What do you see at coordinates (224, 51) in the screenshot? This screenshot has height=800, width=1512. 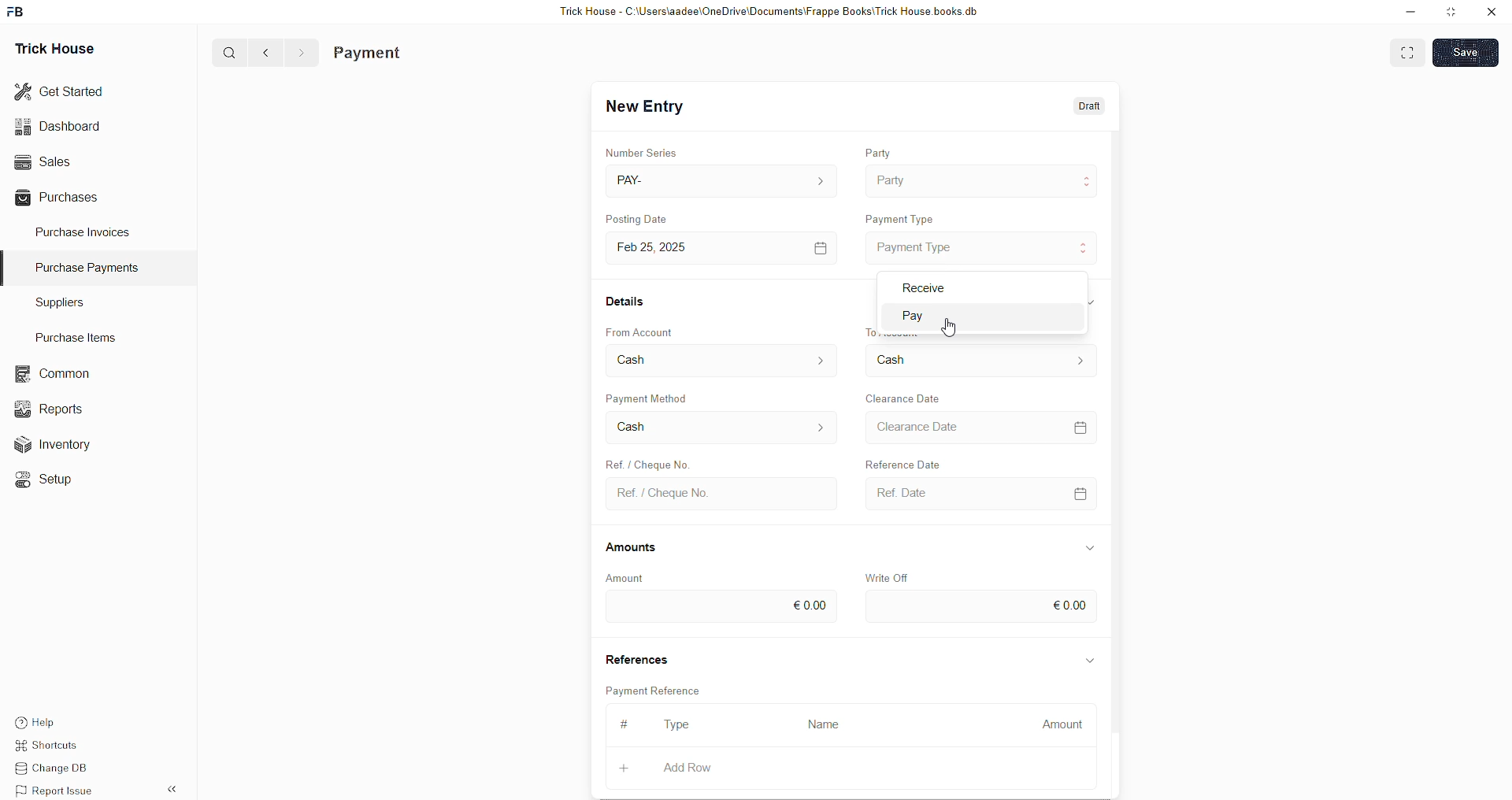 I see `Q` at bounding box center [224, 51].